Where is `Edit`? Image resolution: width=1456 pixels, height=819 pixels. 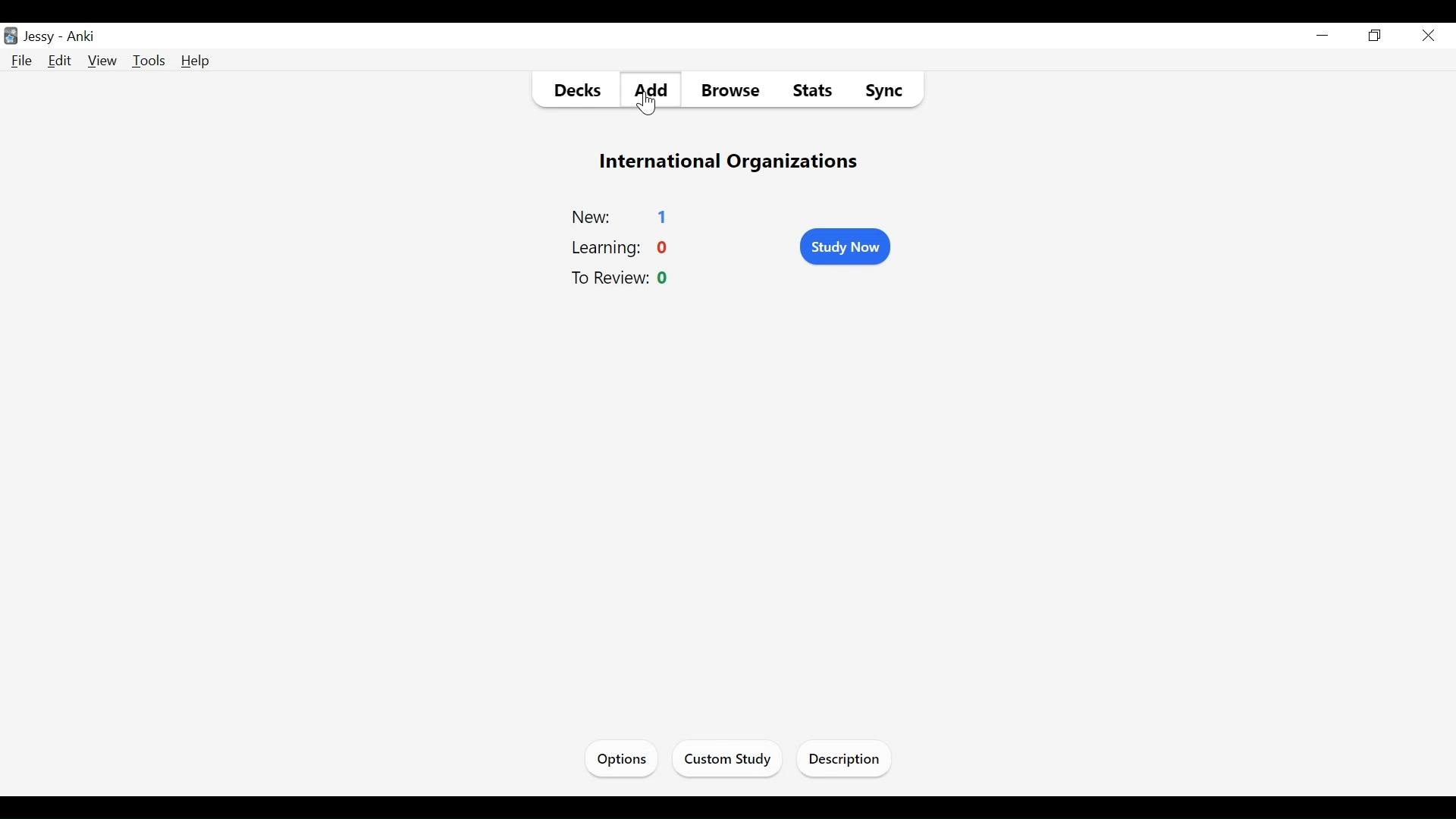
Edit is located at coordinates (61, 60).